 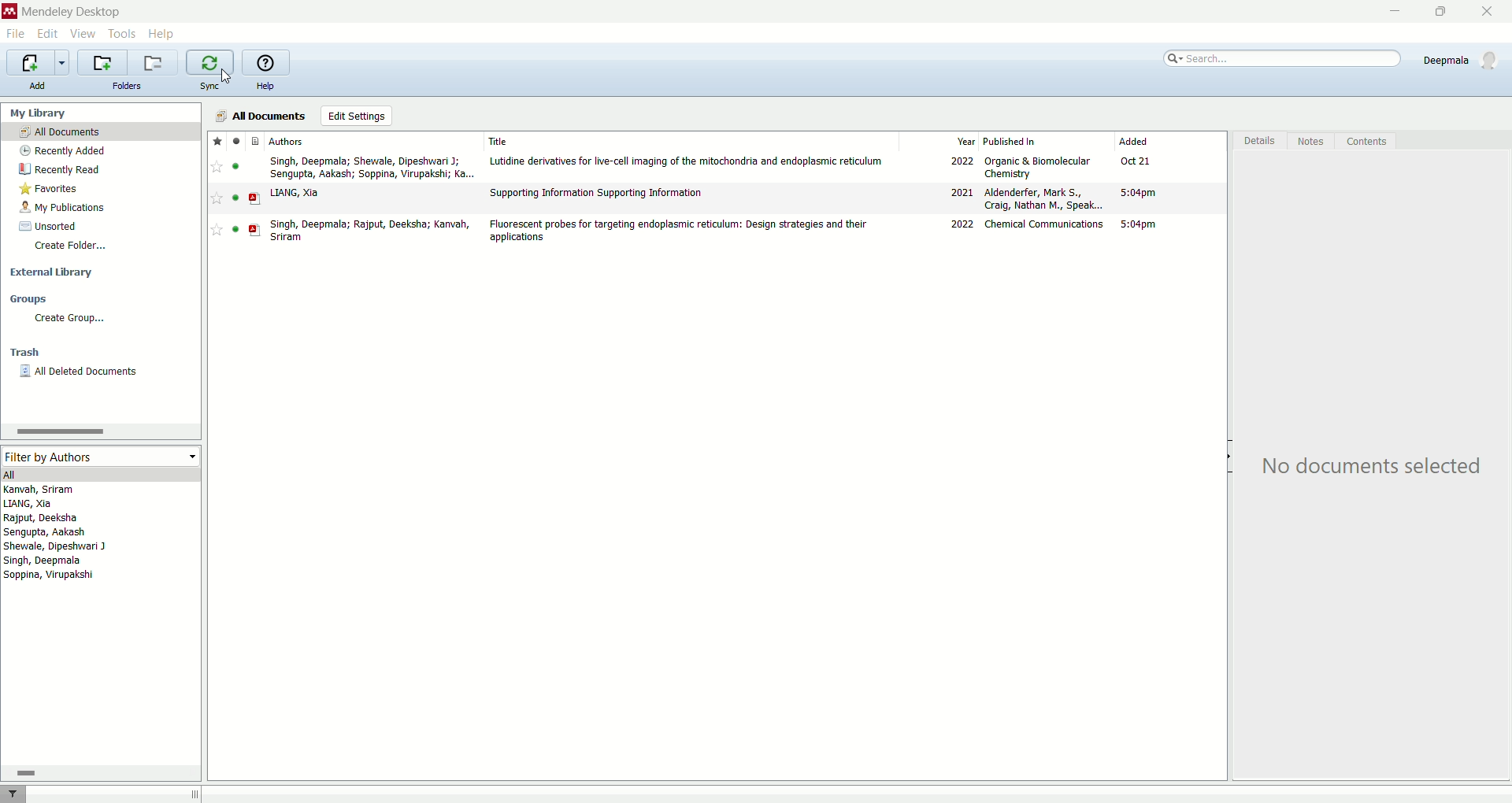 I want to click on close, so click(x=1488, y=12).